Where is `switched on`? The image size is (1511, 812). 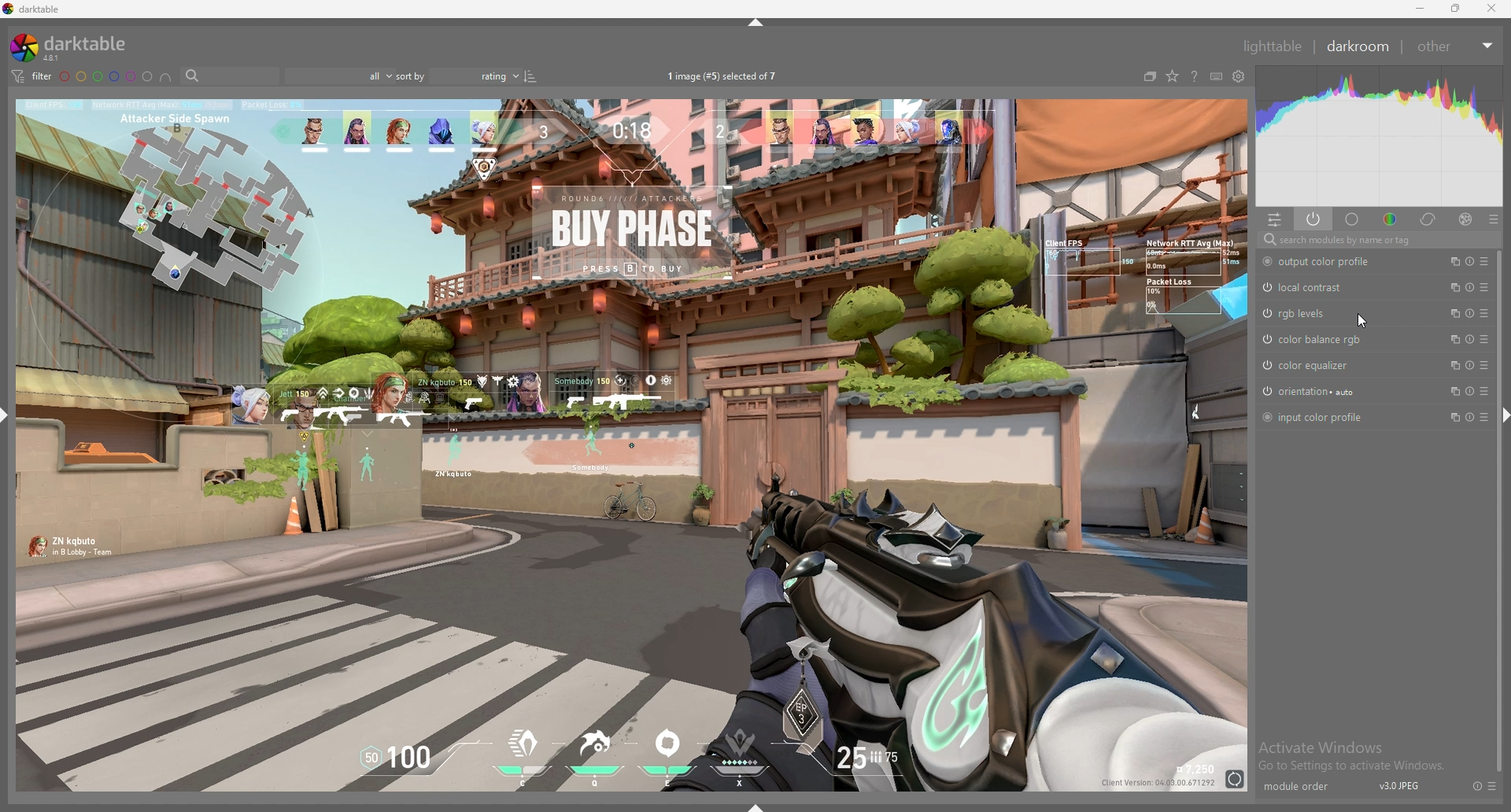
switched on is located at coordinates (1265, 313).